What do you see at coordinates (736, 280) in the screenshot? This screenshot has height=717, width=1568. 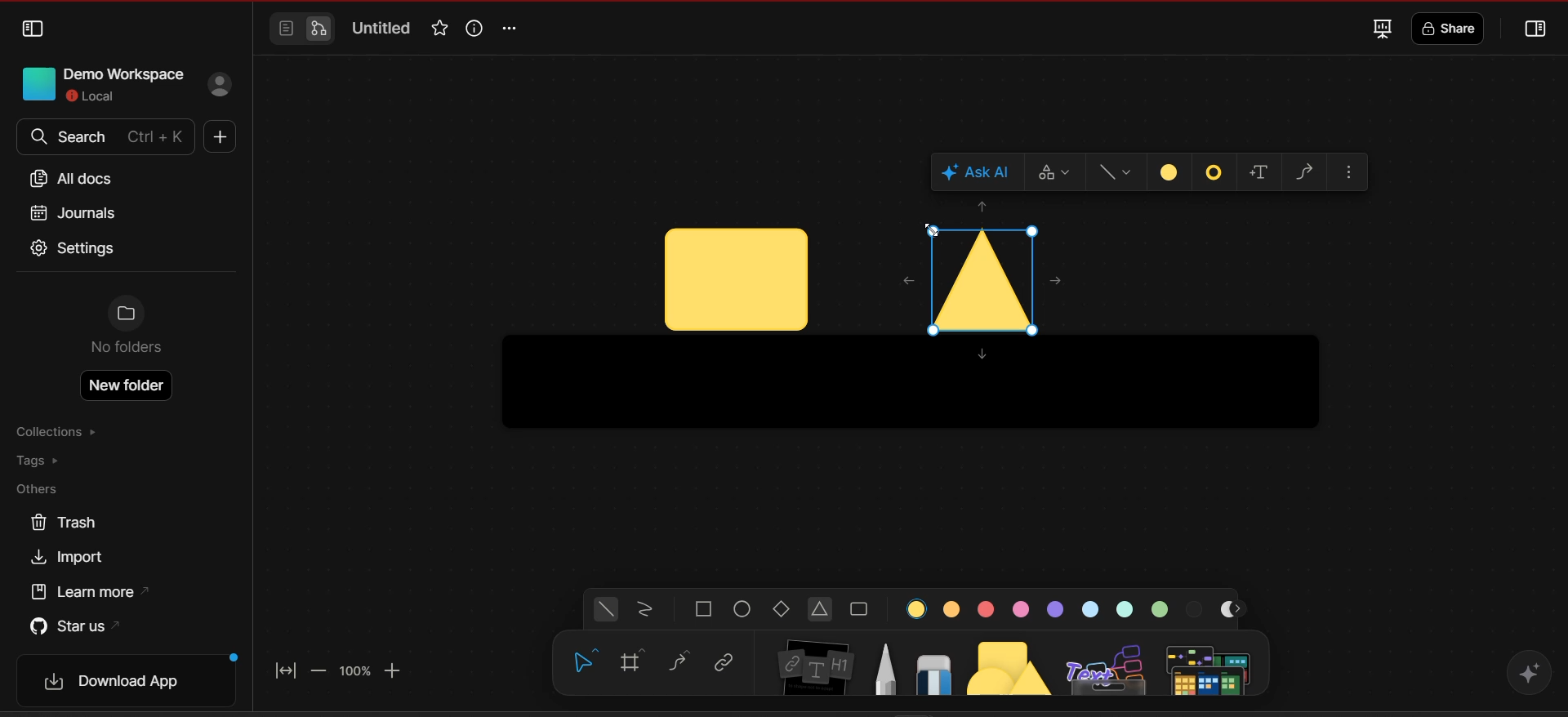 I see `cursor and shape current location` at bounding box center [736, 280].